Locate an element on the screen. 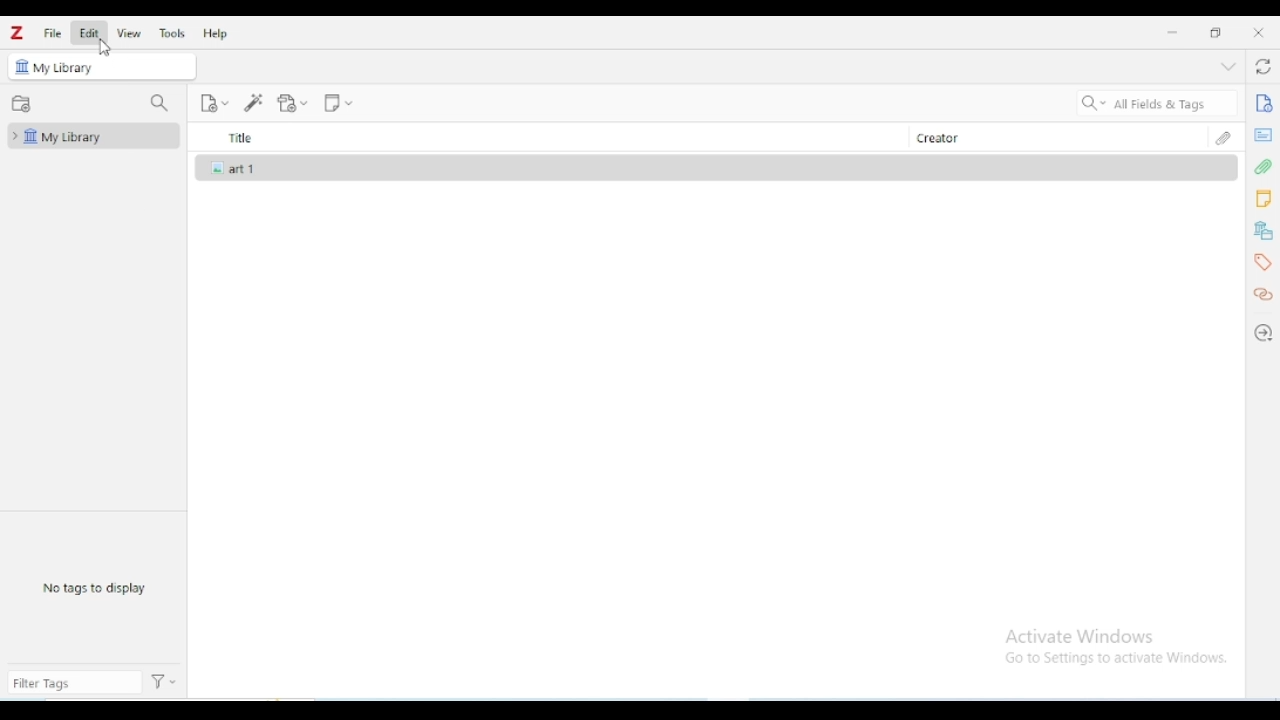 This screenshot has width=1280, height=720. minimize is located at coordinates (1173, 33).